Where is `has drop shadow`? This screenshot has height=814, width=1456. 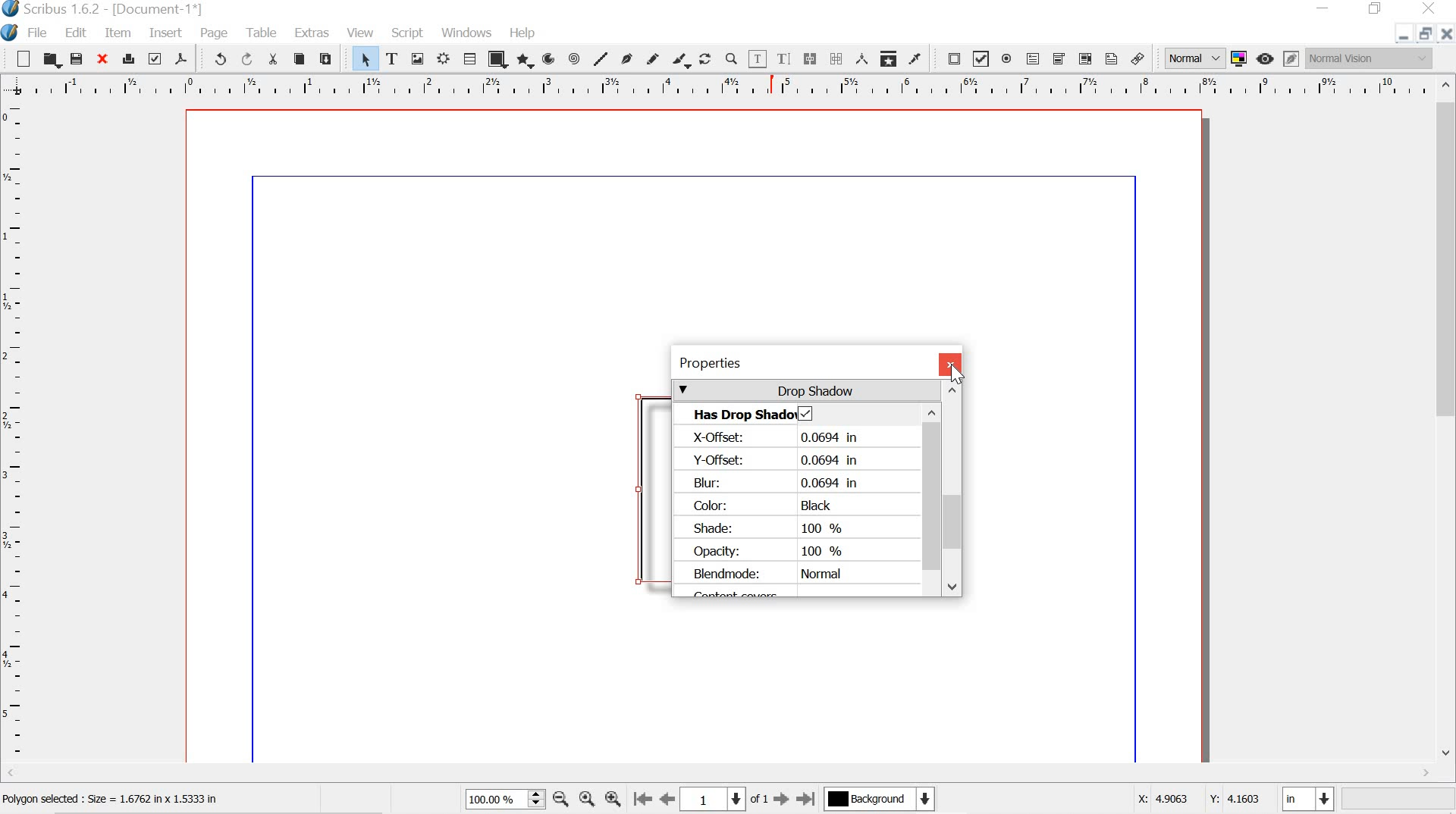 has drop shadow is located at coordinates (739, 415).